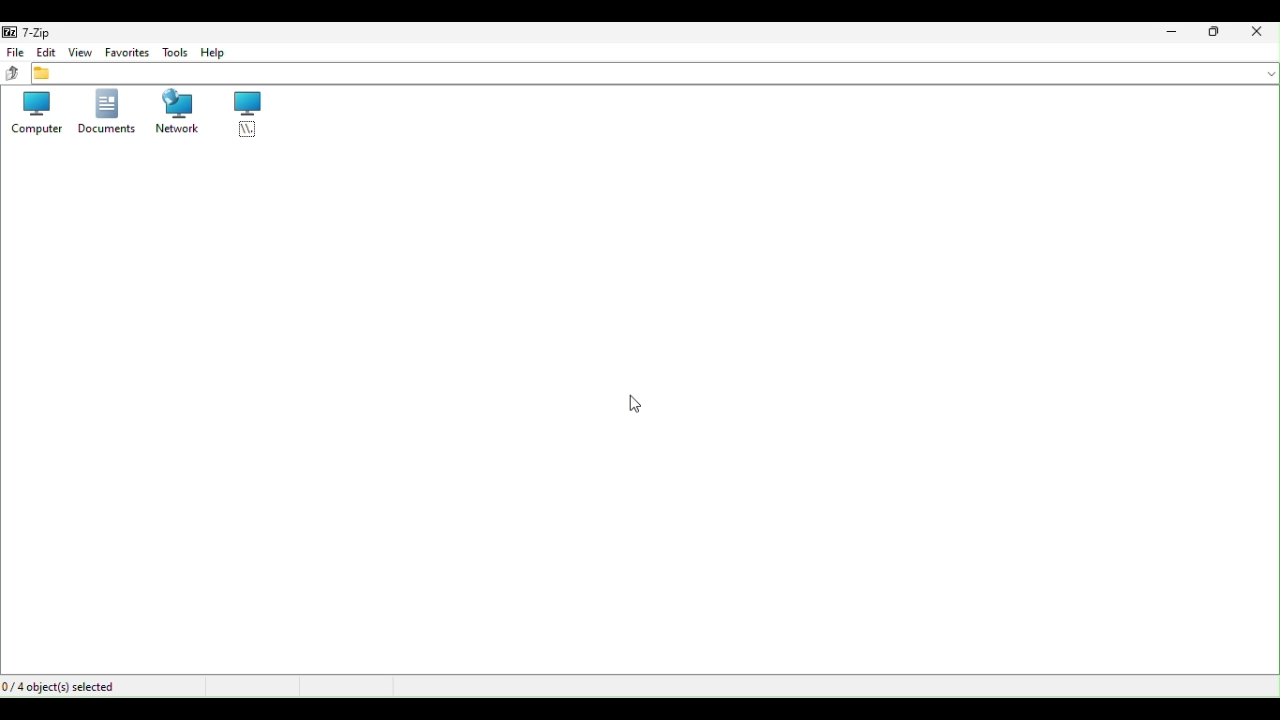  I want to click on Tools, so click(176, 52).